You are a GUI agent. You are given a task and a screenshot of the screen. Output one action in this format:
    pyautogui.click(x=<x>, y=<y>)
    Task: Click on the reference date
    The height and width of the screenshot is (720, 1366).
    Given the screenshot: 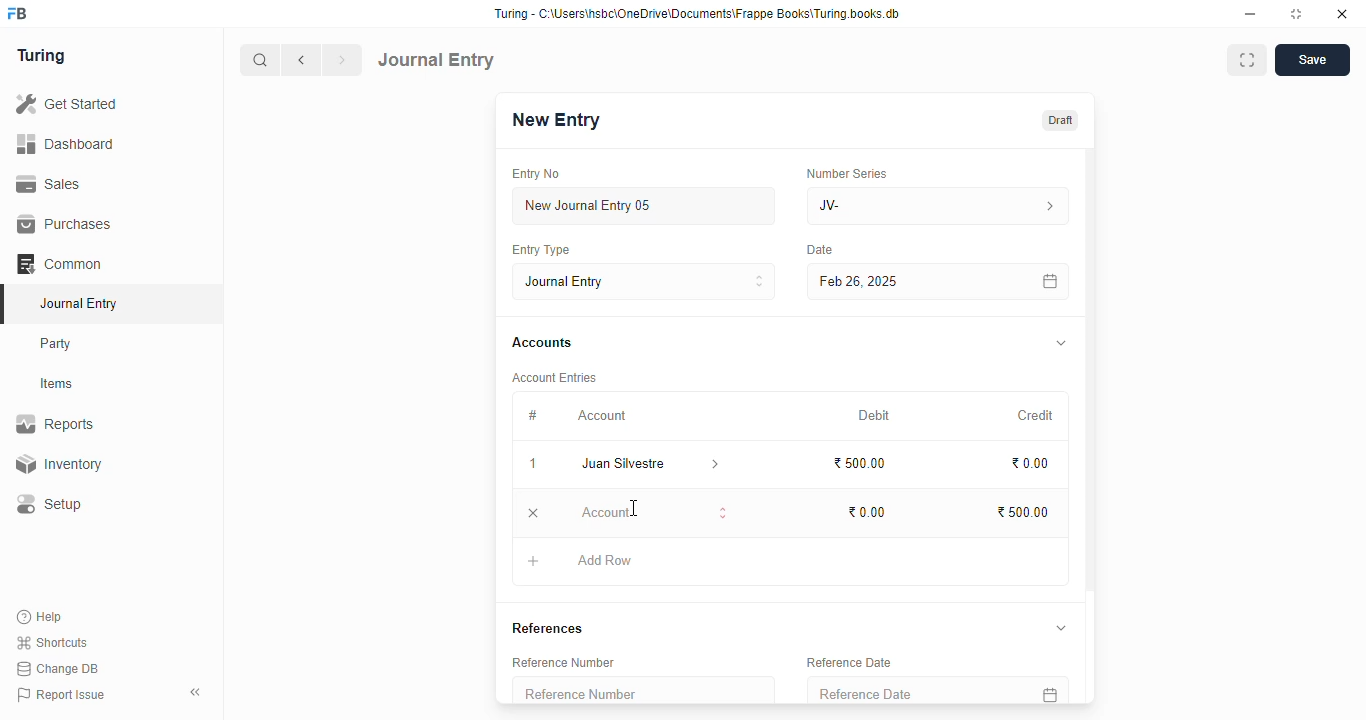 What is the action you would take?
    pyautogui.click(x=909, y=691)
    